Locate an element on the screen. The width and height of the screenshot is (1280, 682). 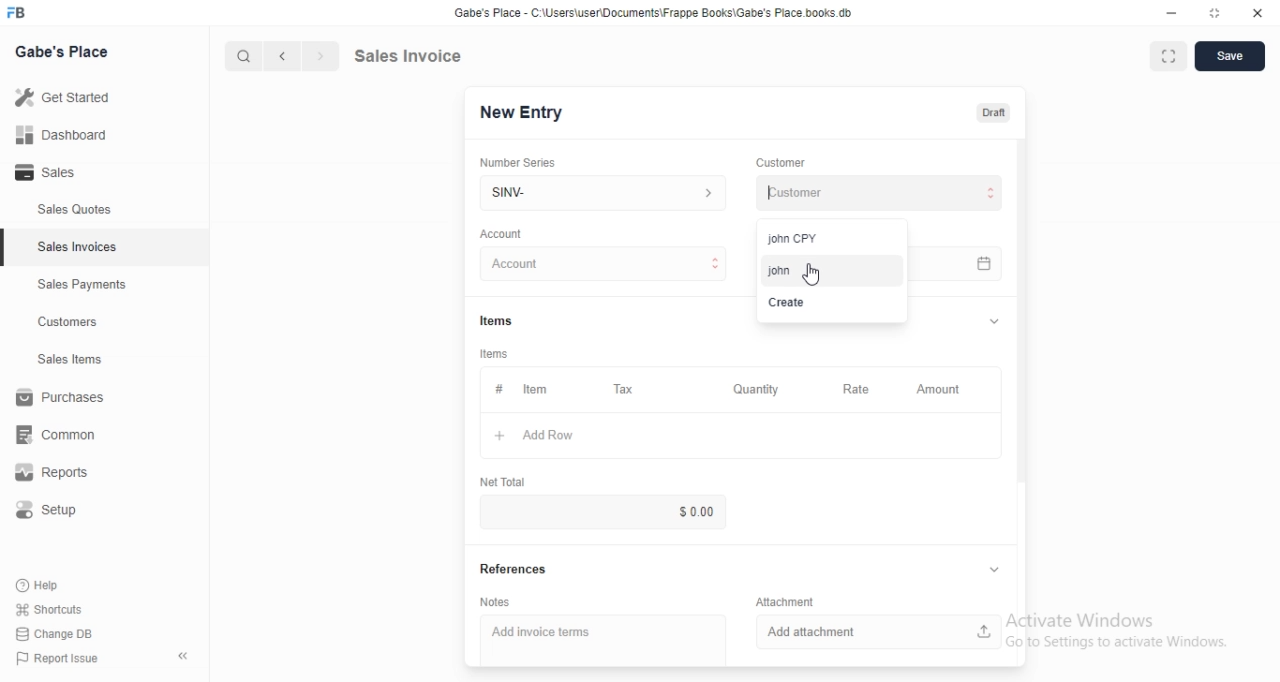
‘Account is located at coordinates (501, 233).